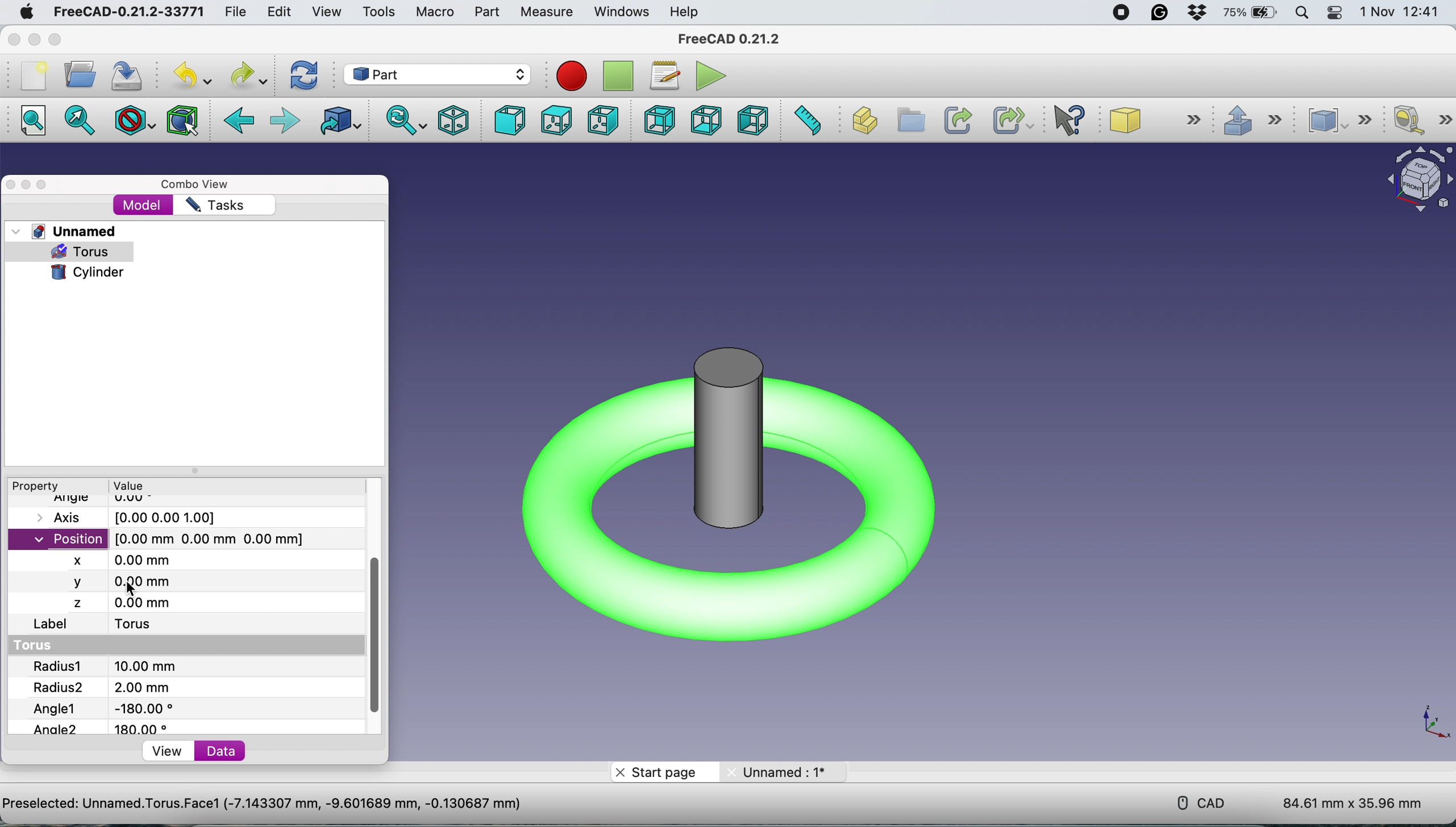 The width and height of the screenshot is (1456, 827). What do you see at coordinates (660, 771) in the screenshot?
I see `start page` at bounding box center [660, 771].